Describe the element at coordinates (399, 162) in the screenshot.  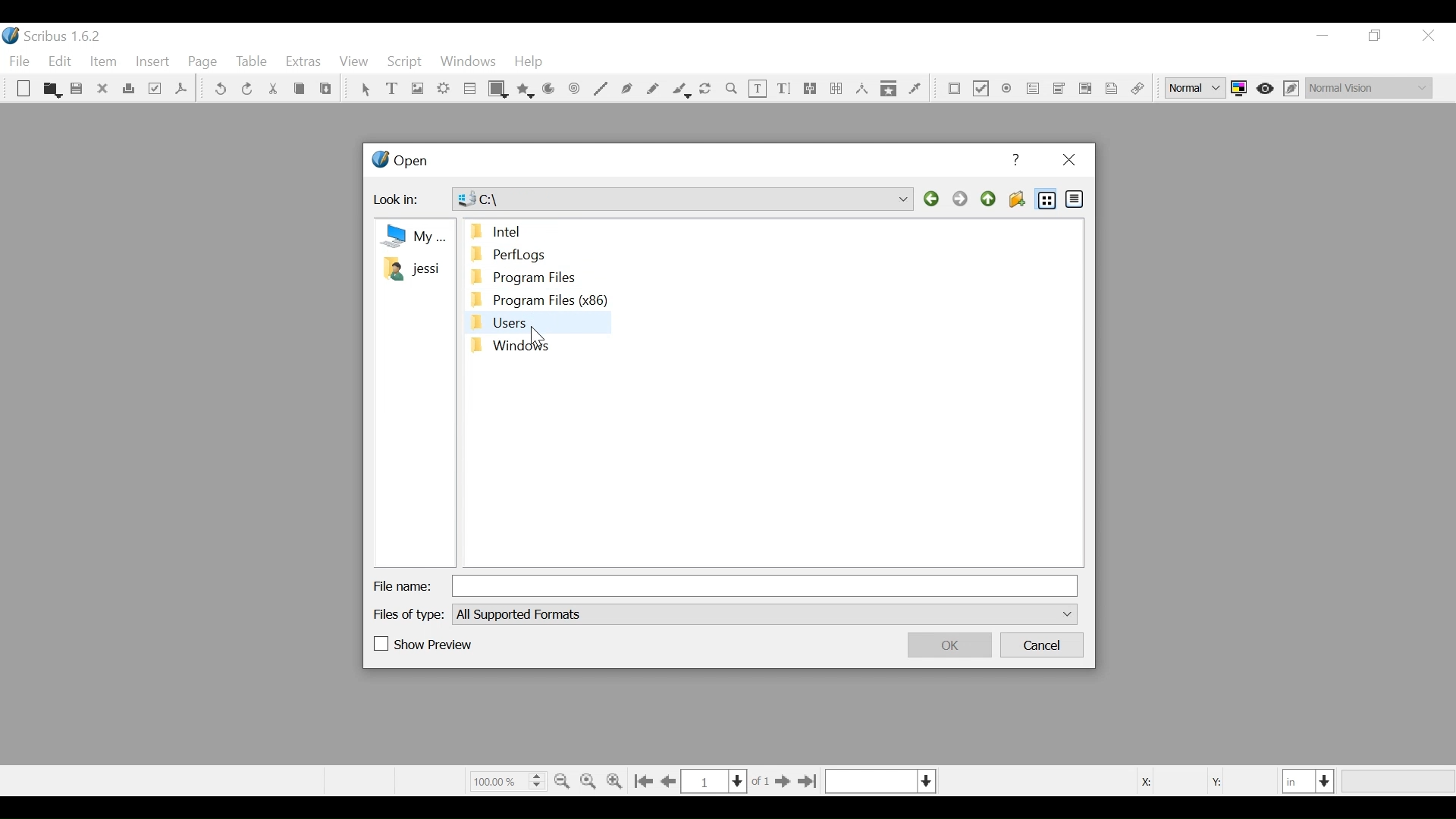
I see `Open` at that location.